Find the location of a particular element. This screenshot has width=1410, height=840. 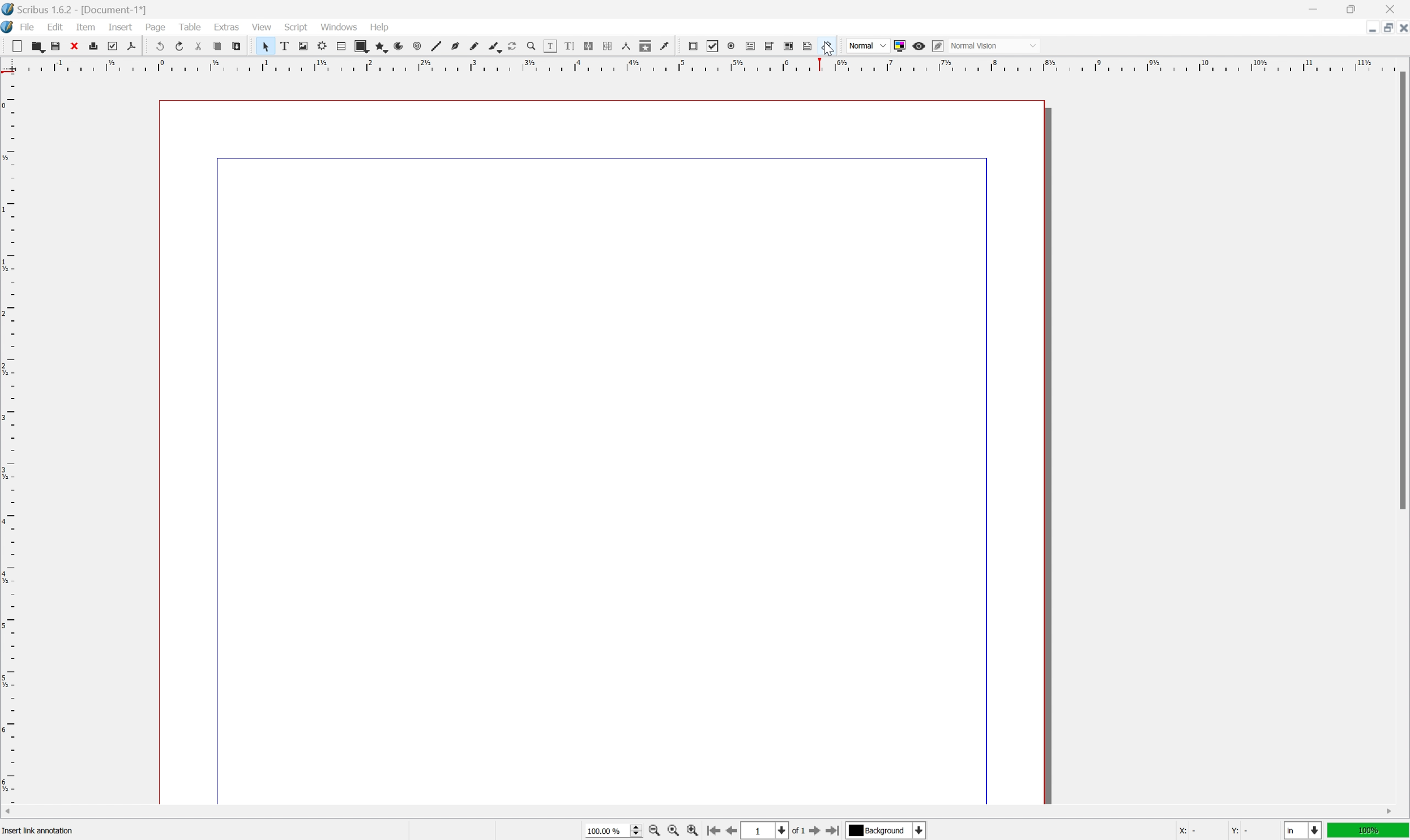

edit contents of frame is located at coordinates (550, 46).